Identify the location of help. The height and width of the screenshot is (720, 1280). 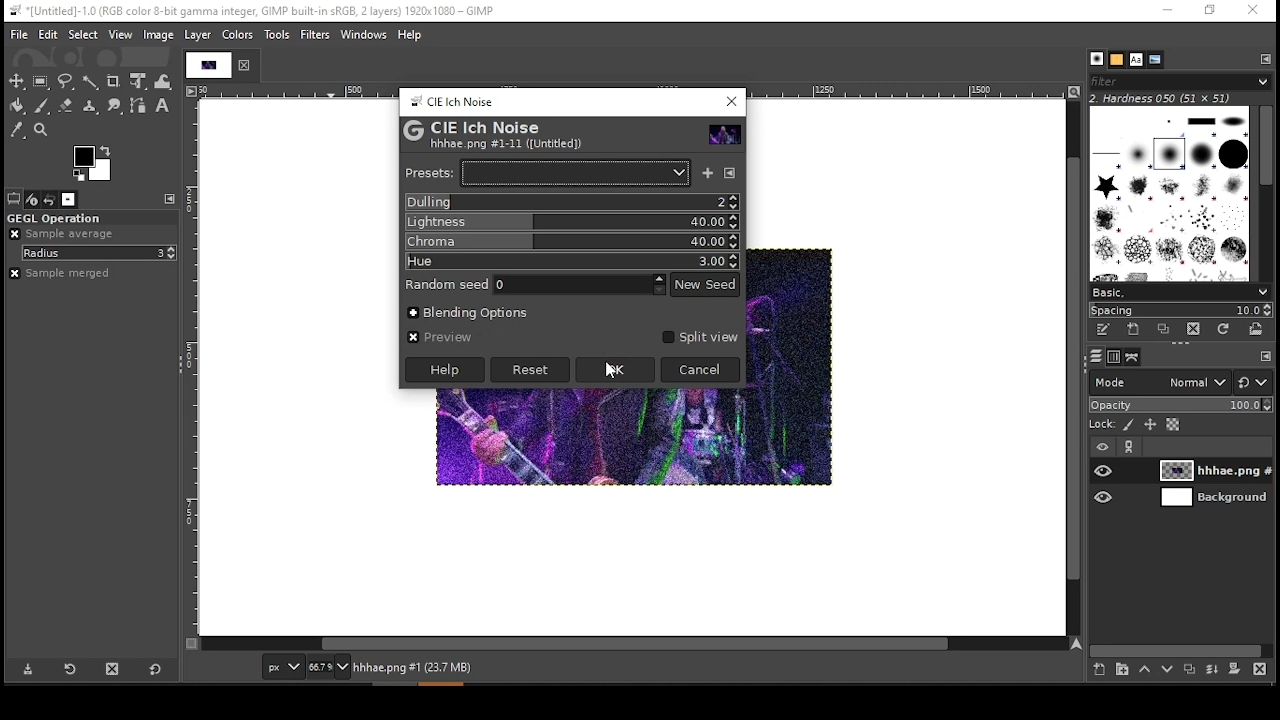
(412, 35).